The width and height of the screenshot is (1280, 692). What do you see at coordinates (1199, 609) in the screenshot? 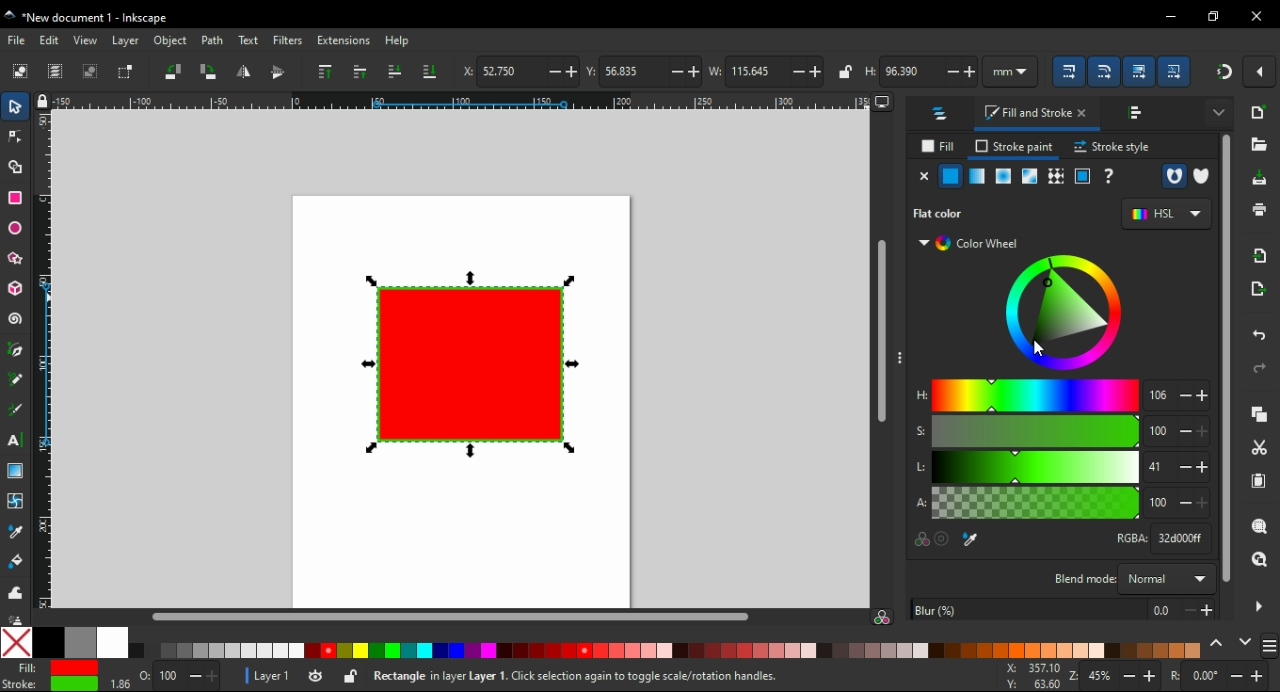
I see `increase/decrease` at bounding box center [1199, 609].